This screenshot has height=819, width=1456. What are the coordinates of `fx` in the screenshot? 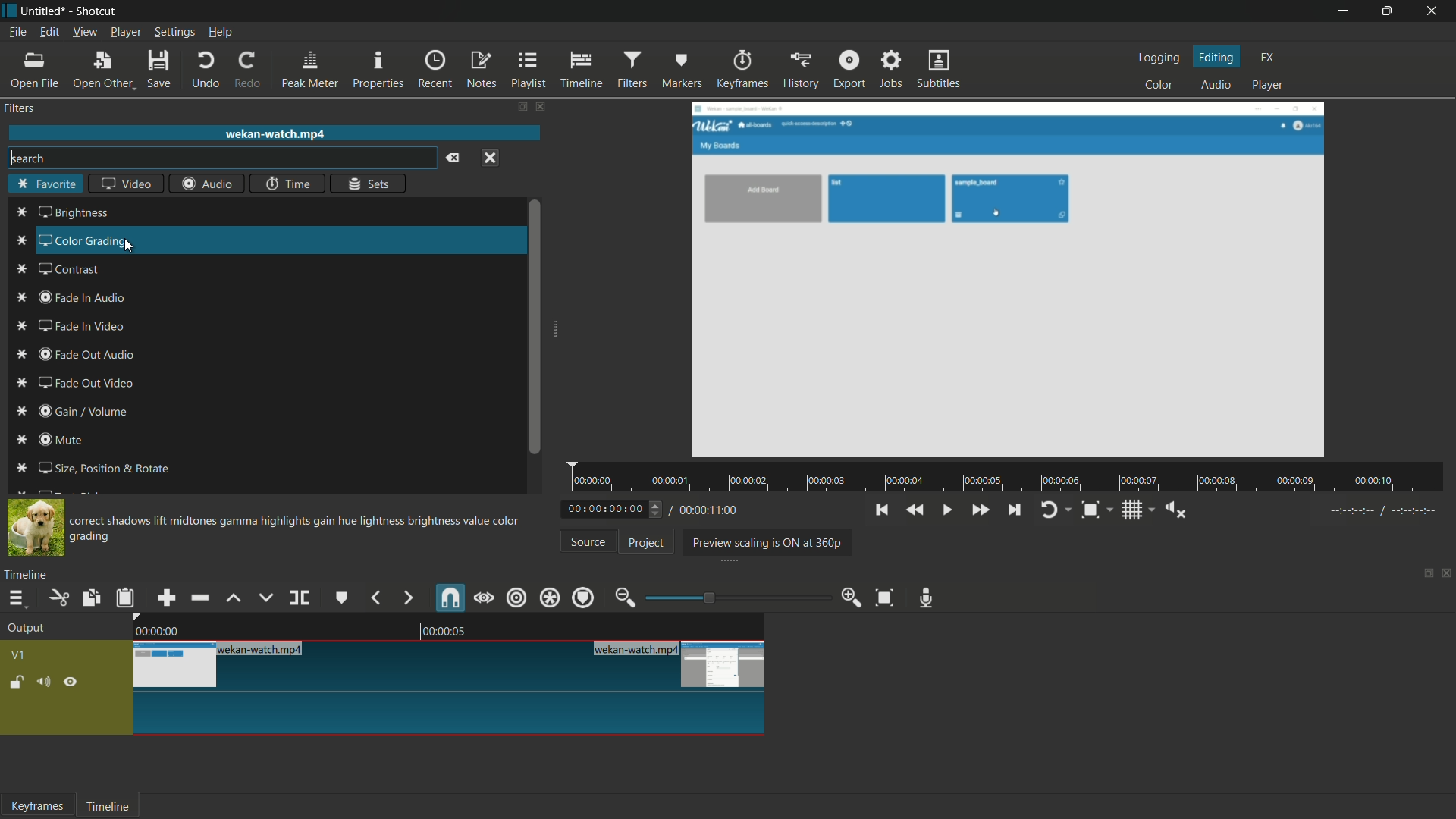 It's located at (1268, 58).